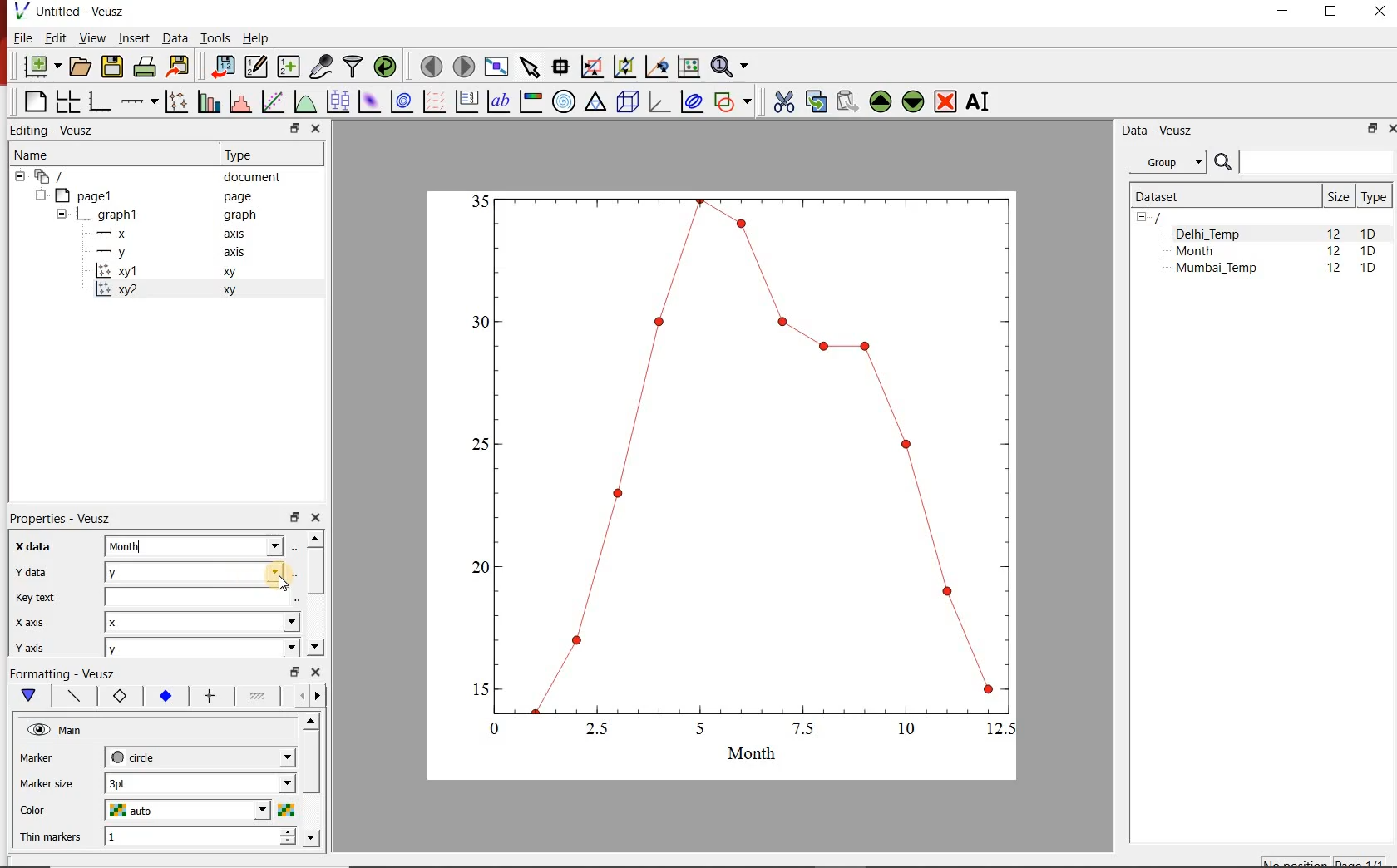  Describe the element at coordinates (1167, 160) in the screenshot. I see `Group` at that location.